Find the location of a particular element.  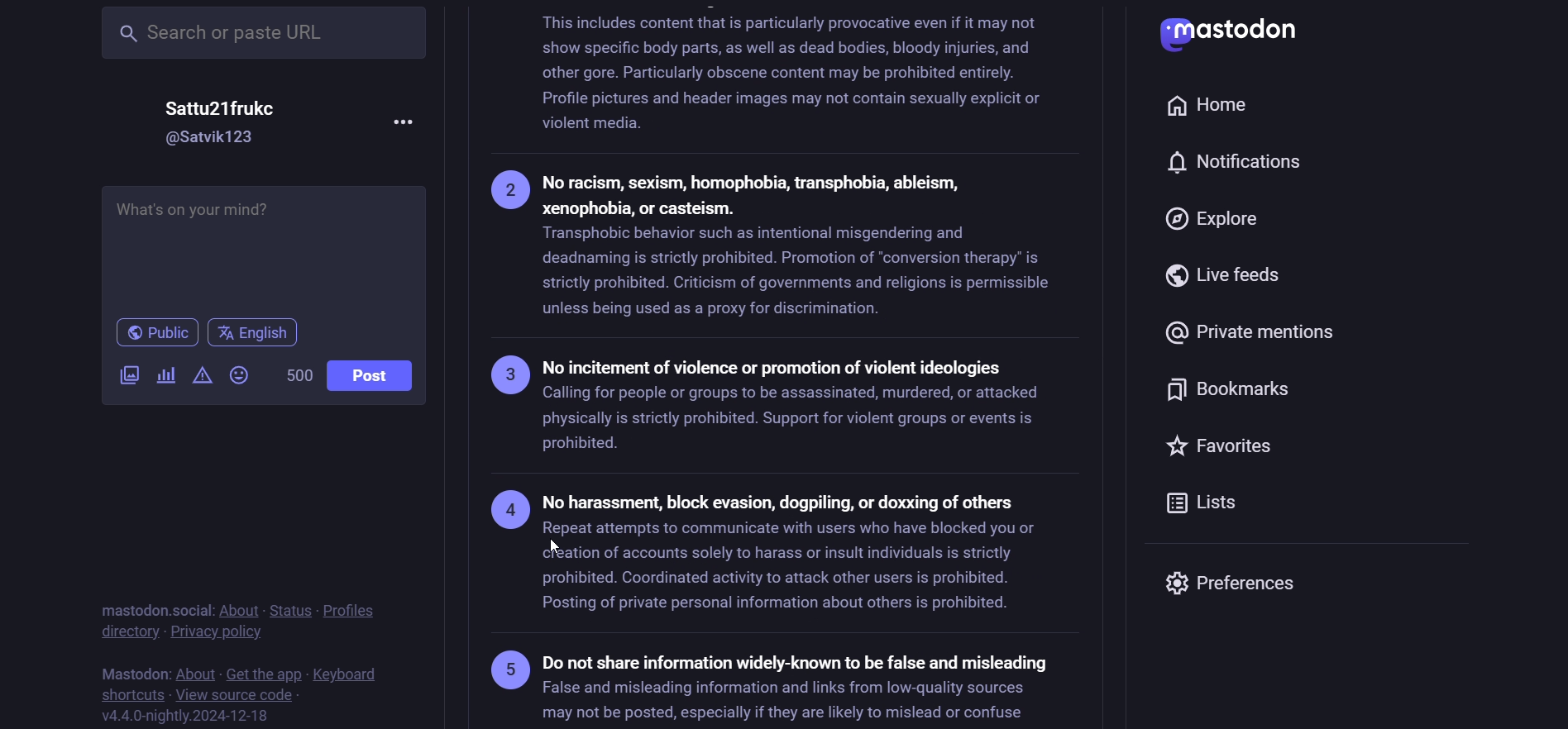

more is located at coordinates (404, 119).